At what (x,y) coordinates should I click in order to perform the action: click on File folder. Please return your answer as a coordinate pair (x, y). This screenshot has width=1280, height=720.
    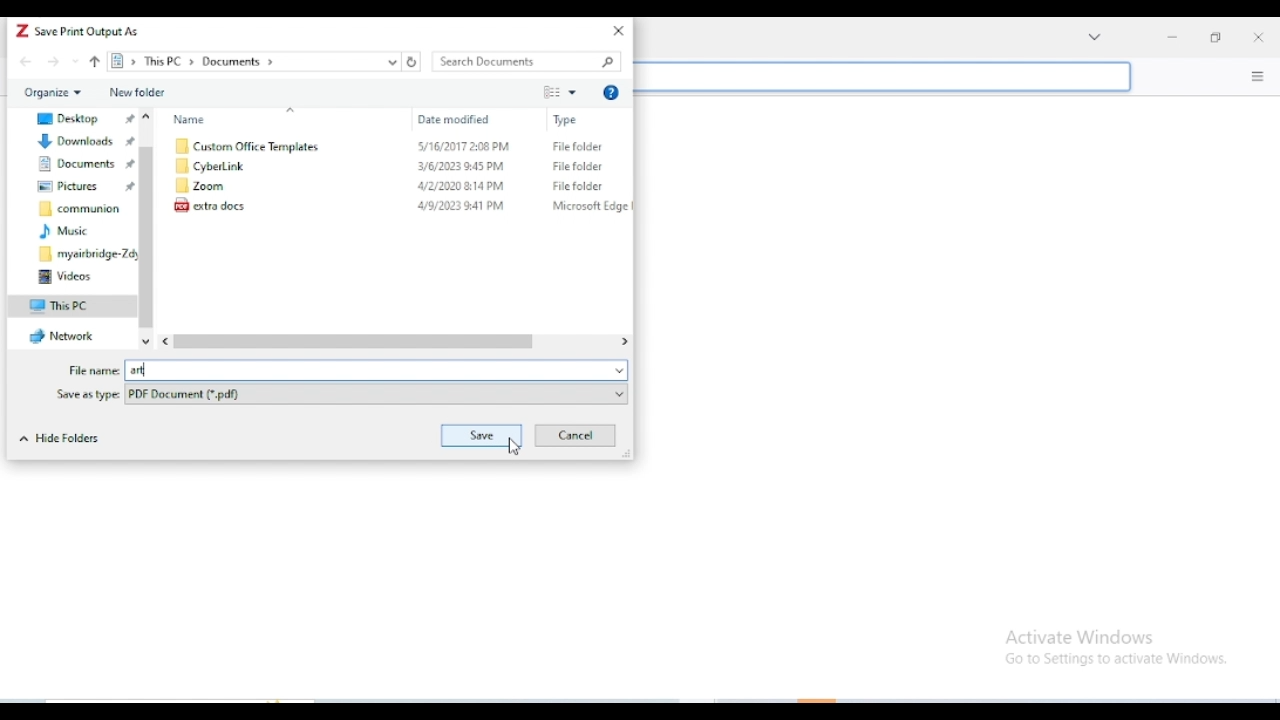
    Looking at the image, I should click on (579, 166).